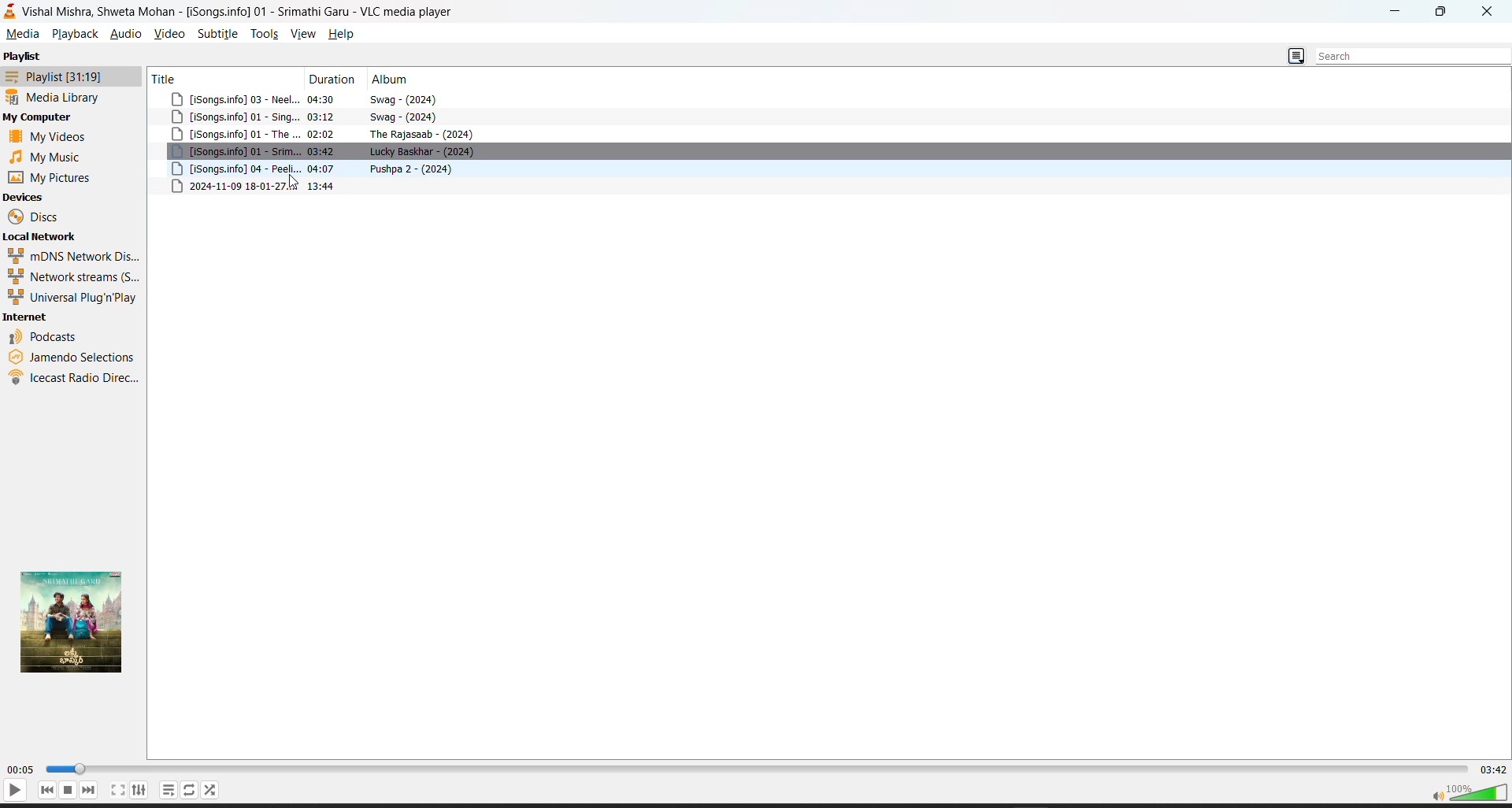 Image resolution: width=1512 pixels, height=808 pixels. I want to click on title, so click(164, 77).